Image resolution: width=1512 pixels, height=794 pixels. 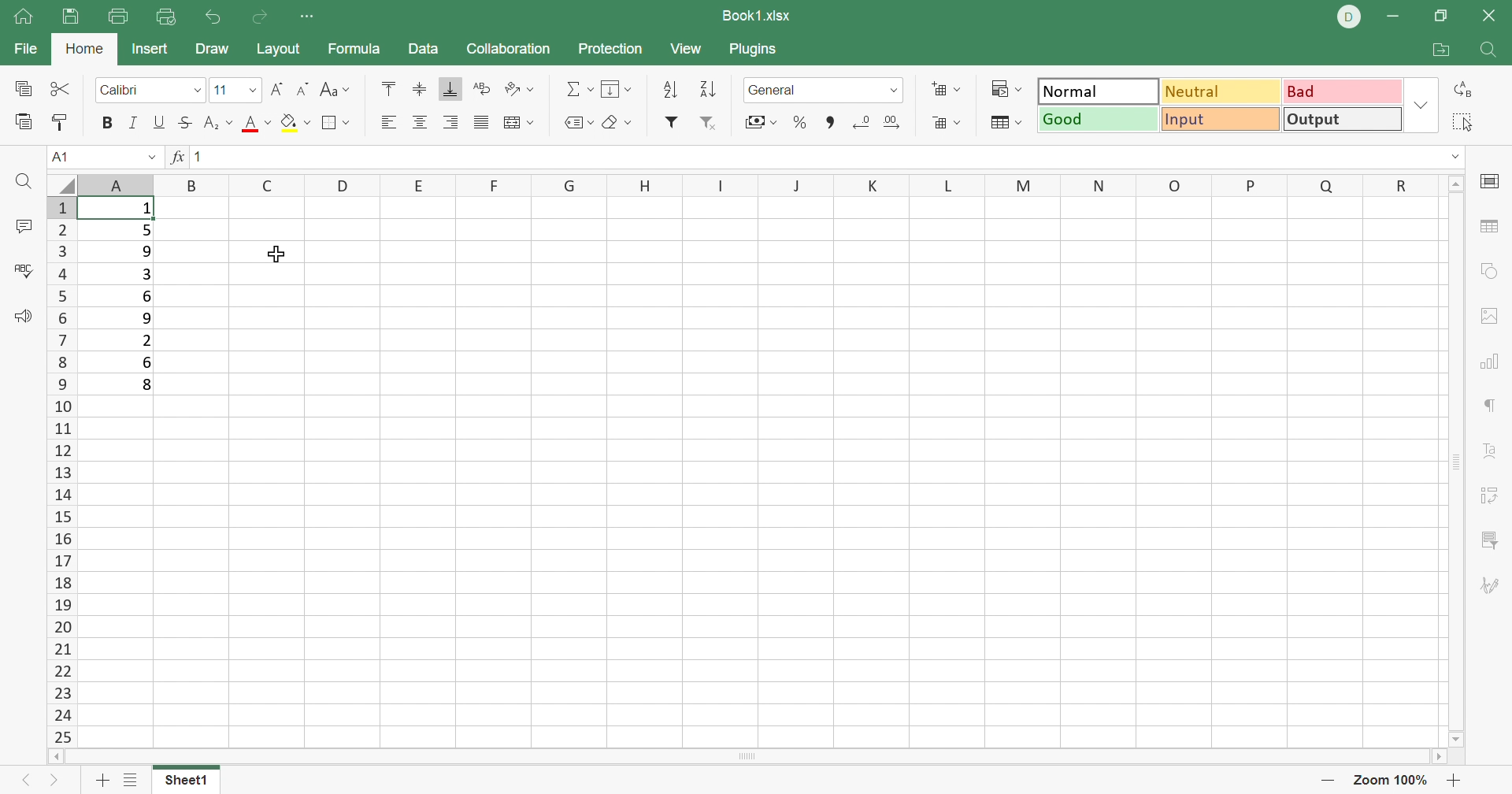 I want to click on Feedback & Support, so click(x=23, y=317).